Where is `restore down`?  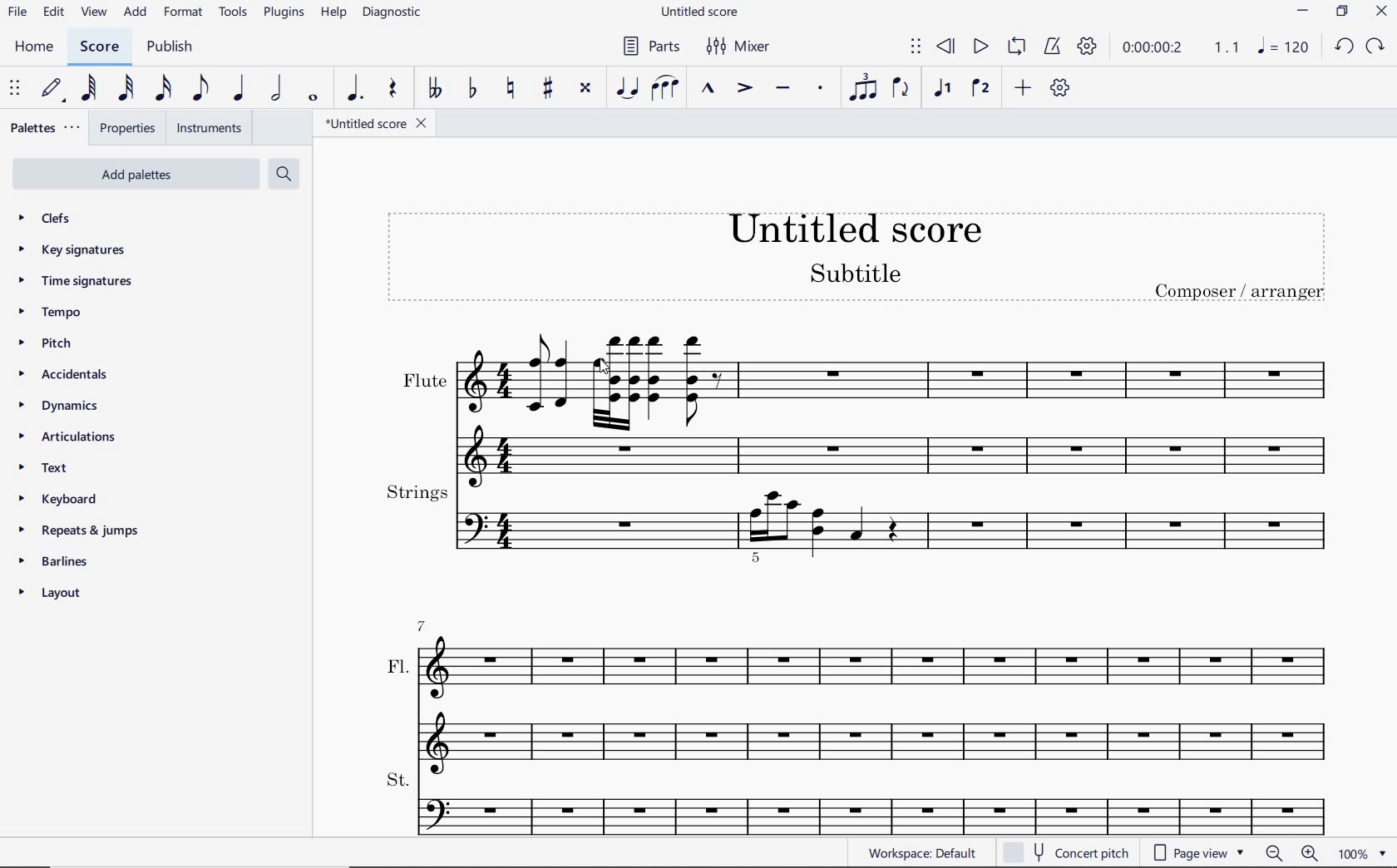 restore down is located at coordinates (1344, 11).